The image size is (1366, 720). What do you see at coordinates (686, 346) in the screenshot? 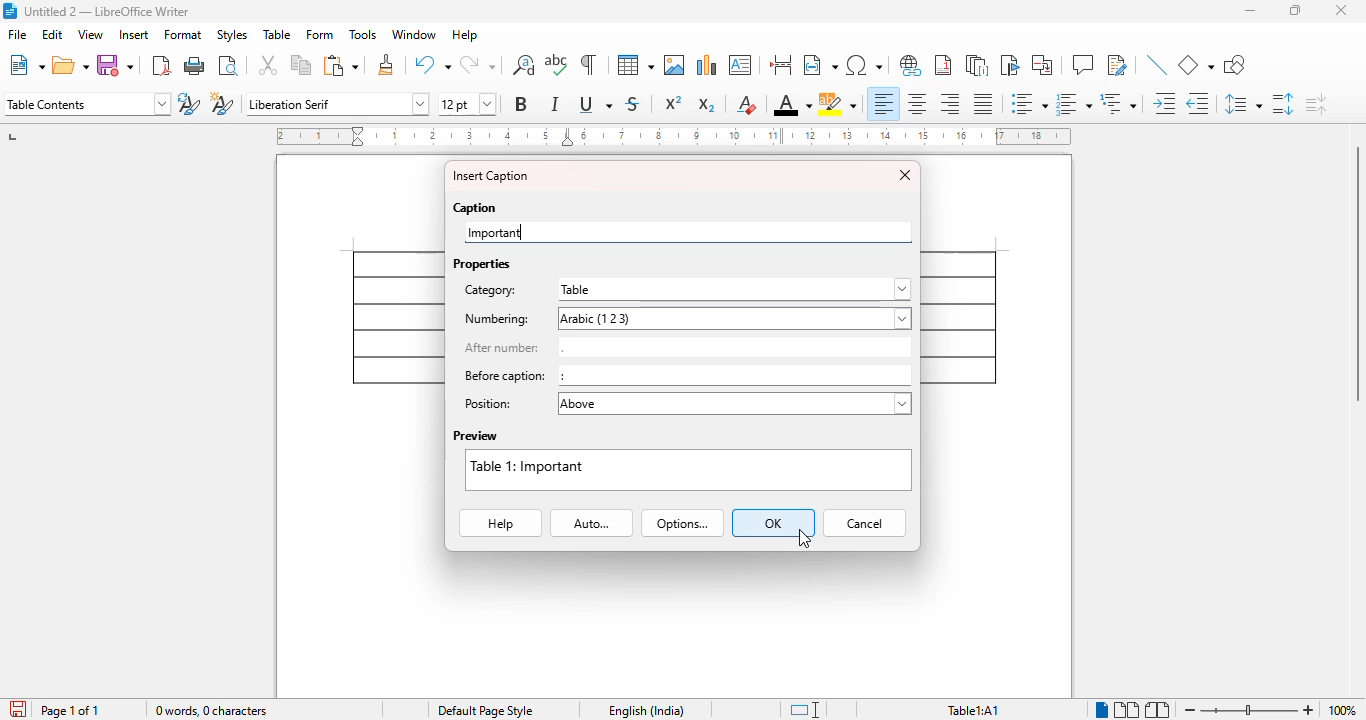
I see `after number:  . ` at bounding box center [686, 346].